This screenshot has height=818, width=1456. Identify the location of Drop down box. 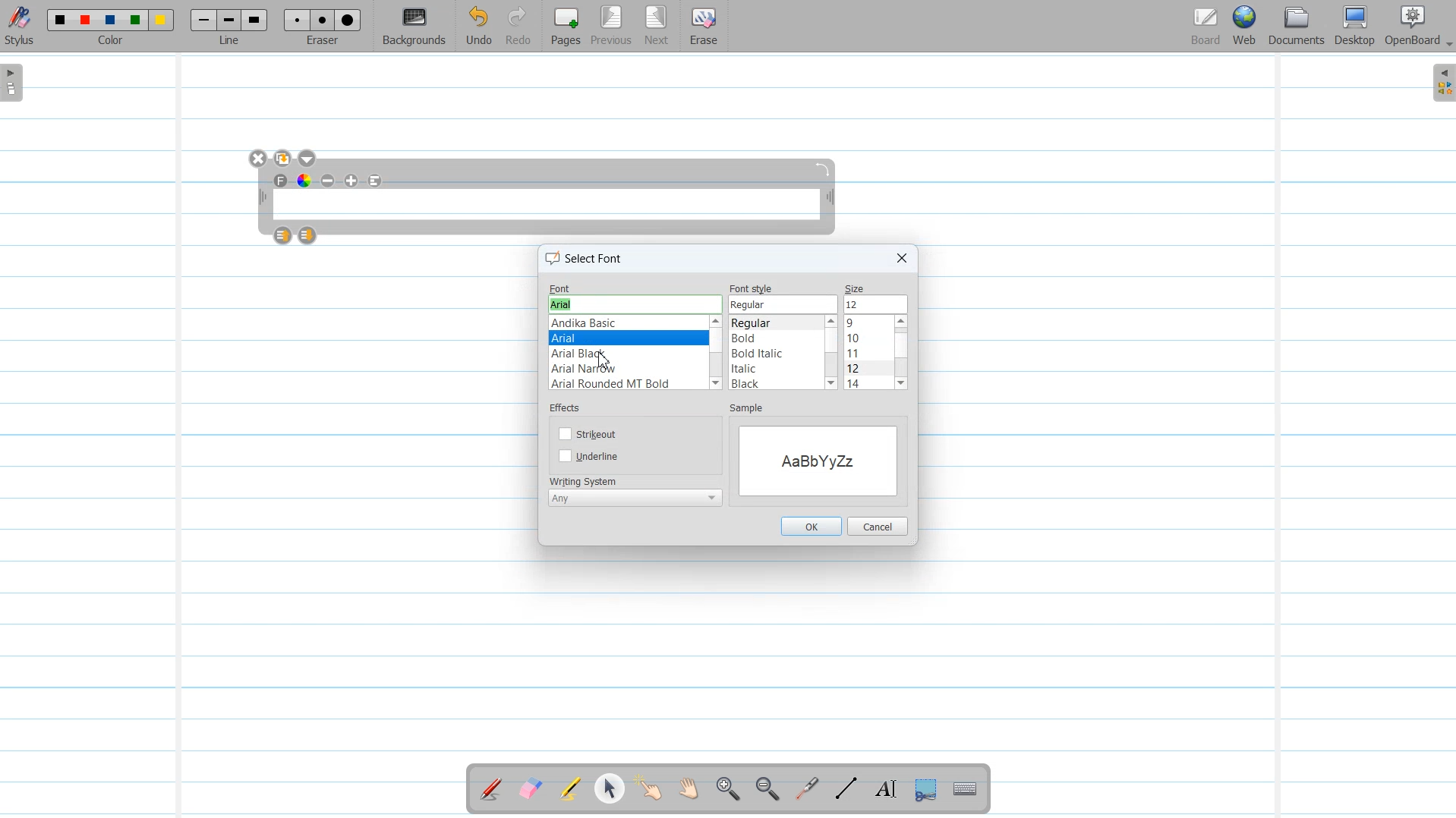
(309, 159).